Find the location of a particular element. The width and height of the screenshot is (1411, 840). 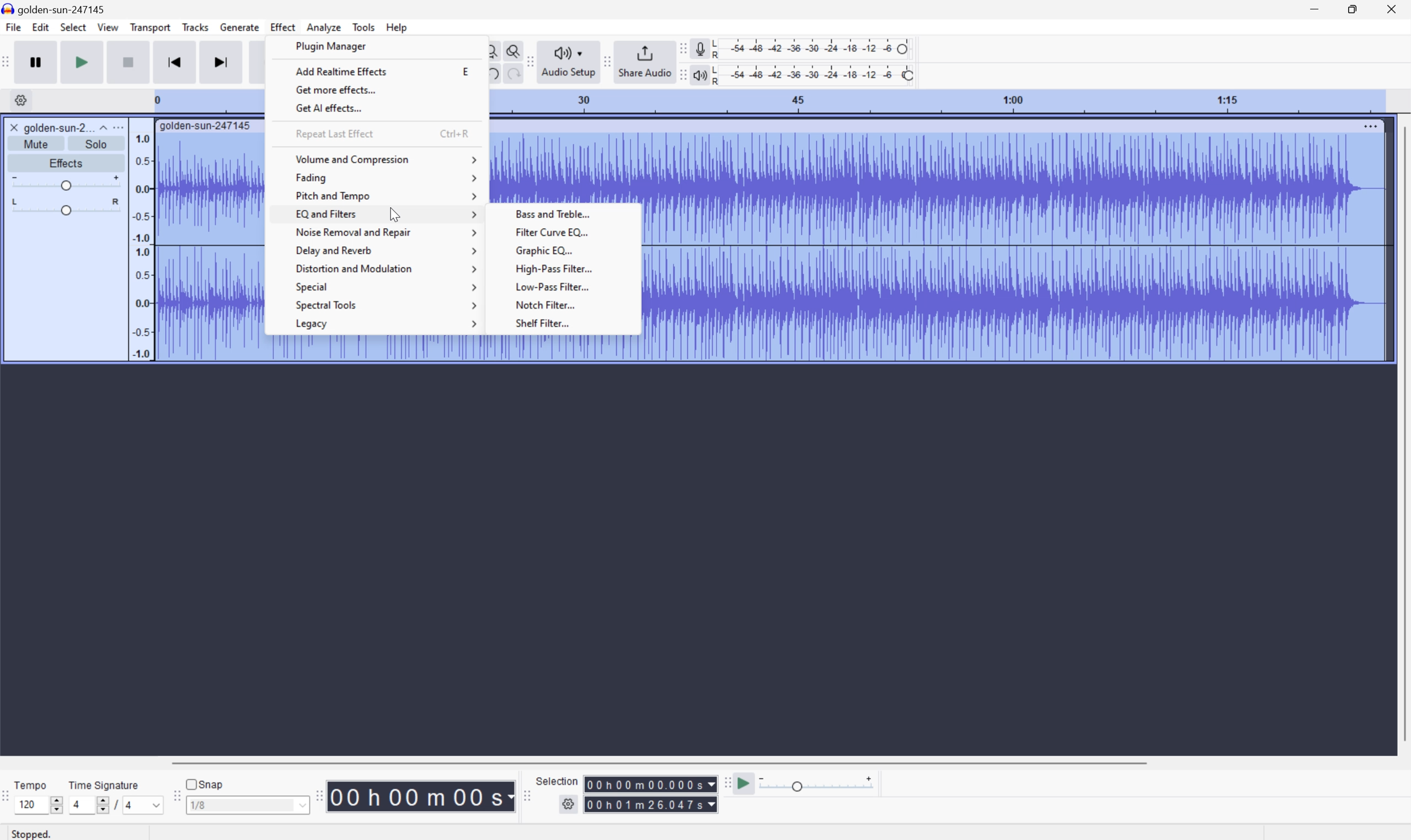

Plugin Manager is located at coordinates (334, 46).